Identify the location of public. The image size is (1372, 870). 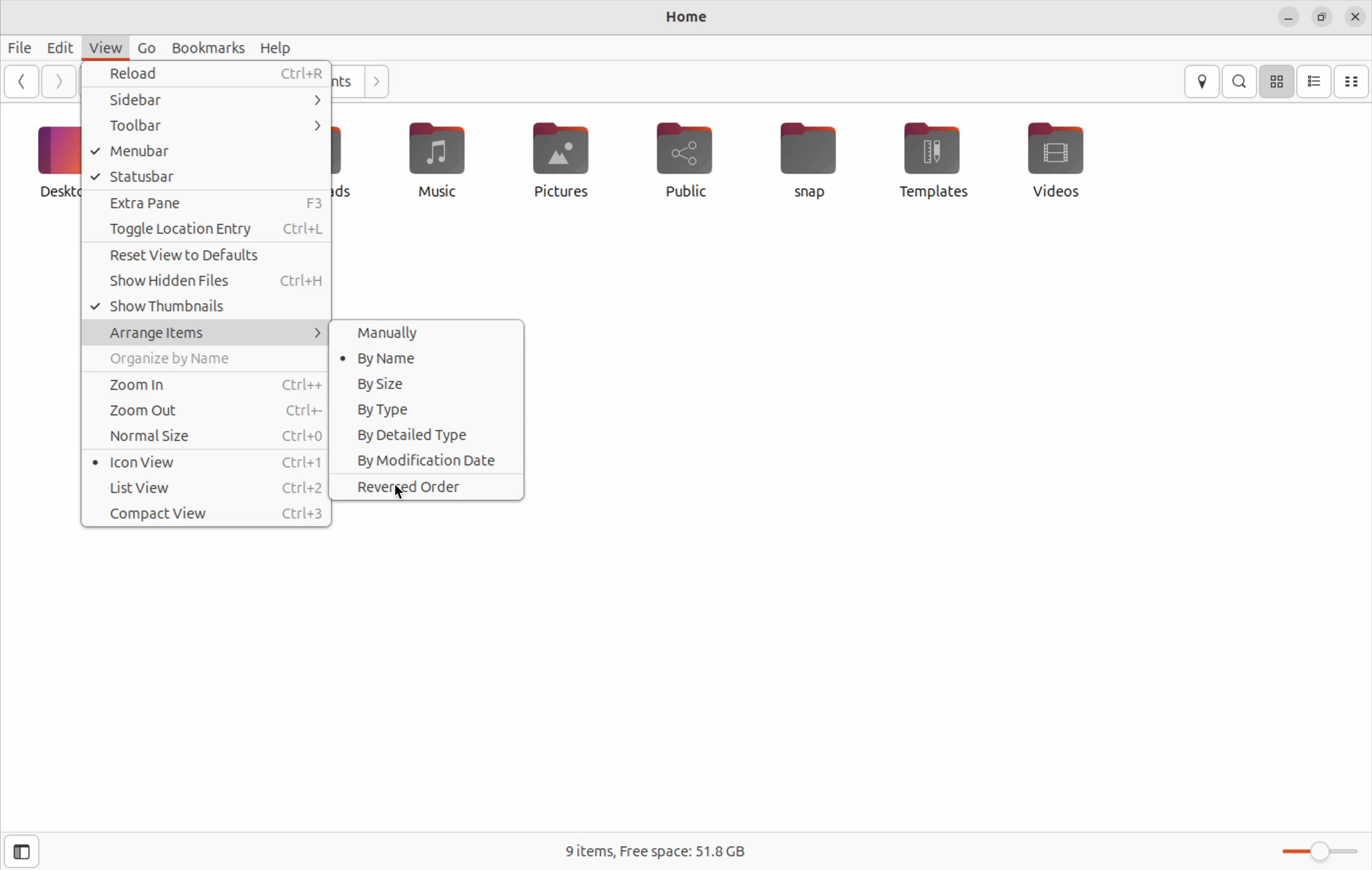
(695, 158).